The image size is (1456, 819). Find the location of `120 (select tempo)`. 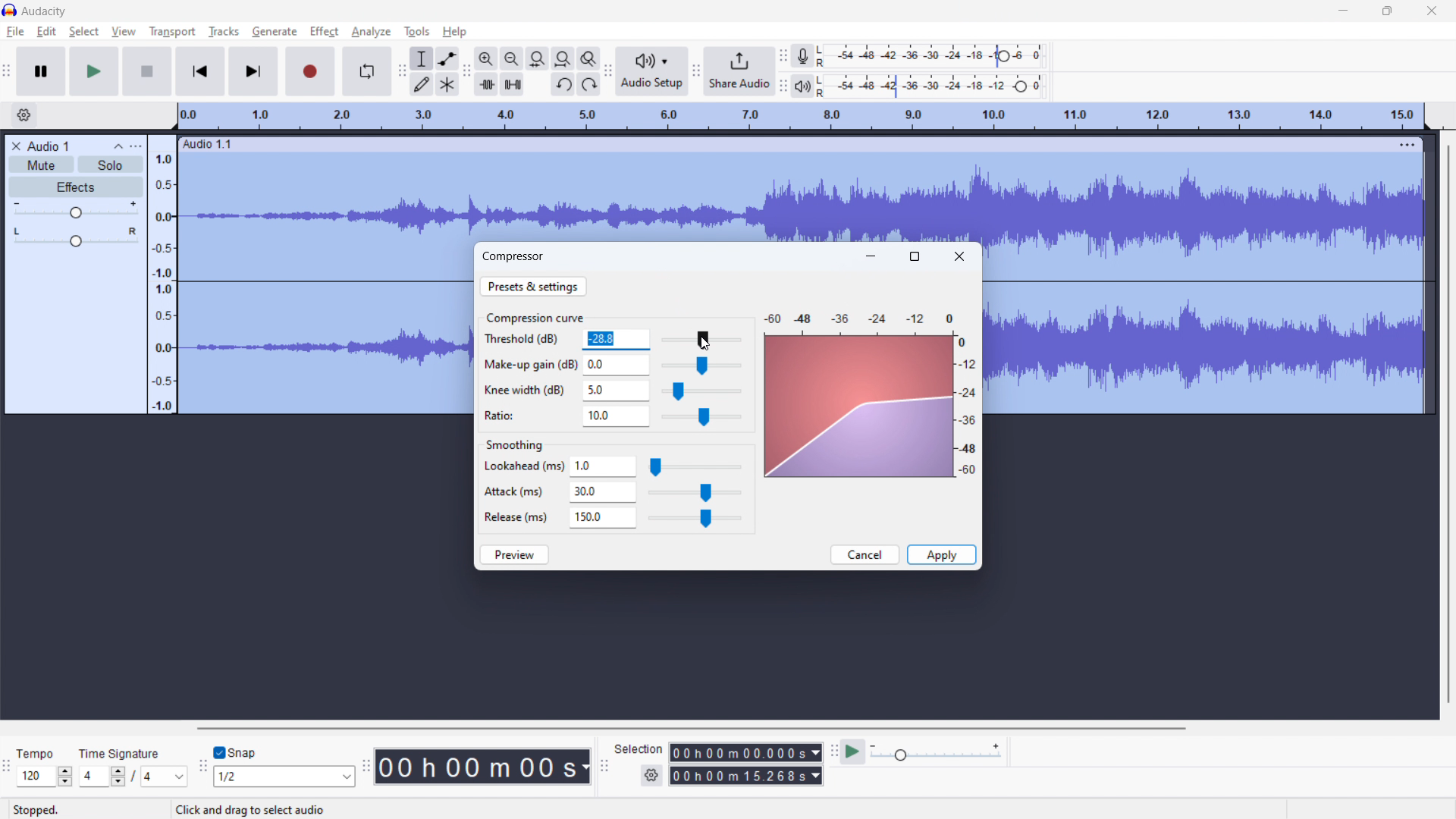

120 (select tempo) is located at coordinates (45, 777).